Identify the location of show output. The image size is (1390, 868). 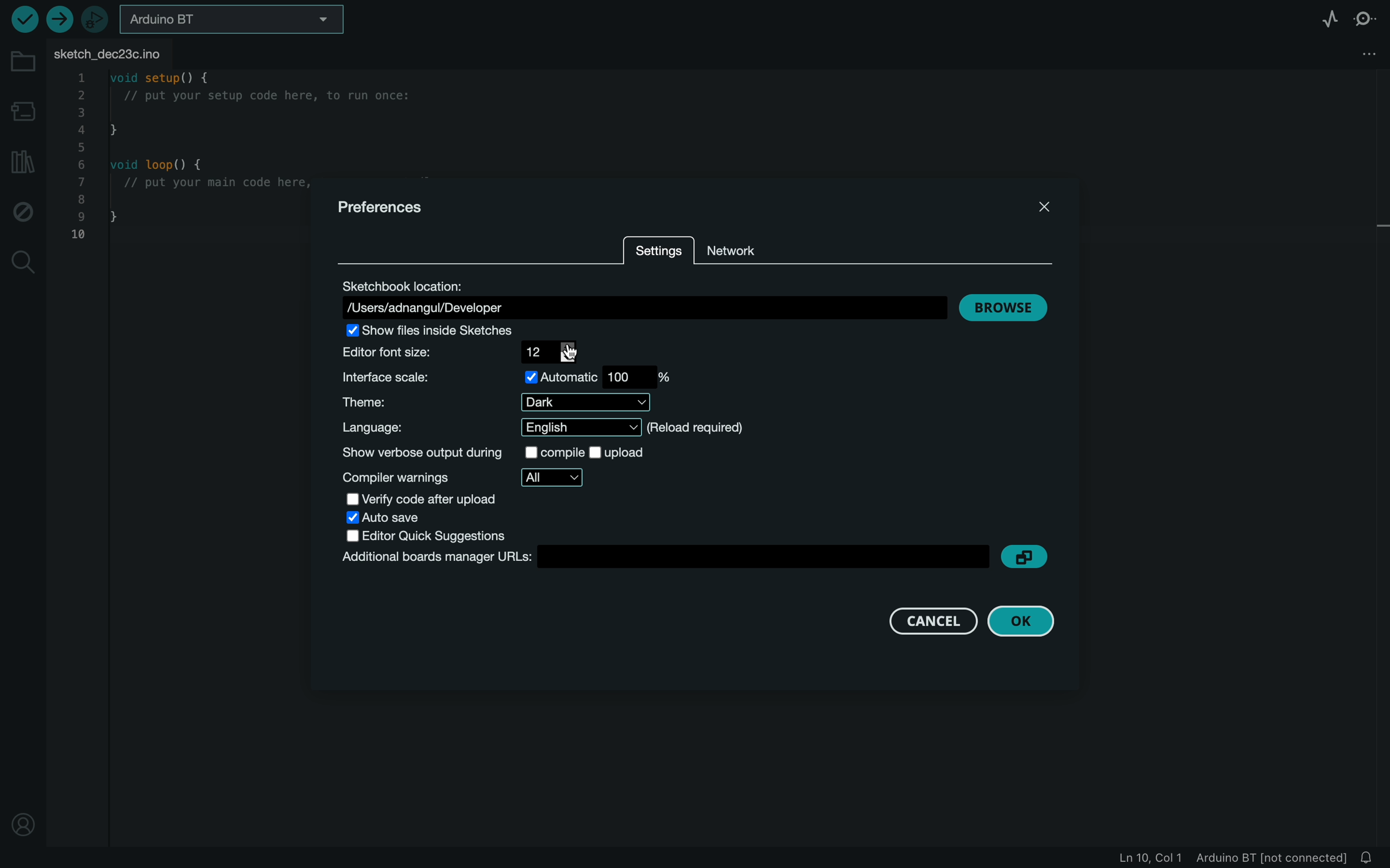
(513, 451).